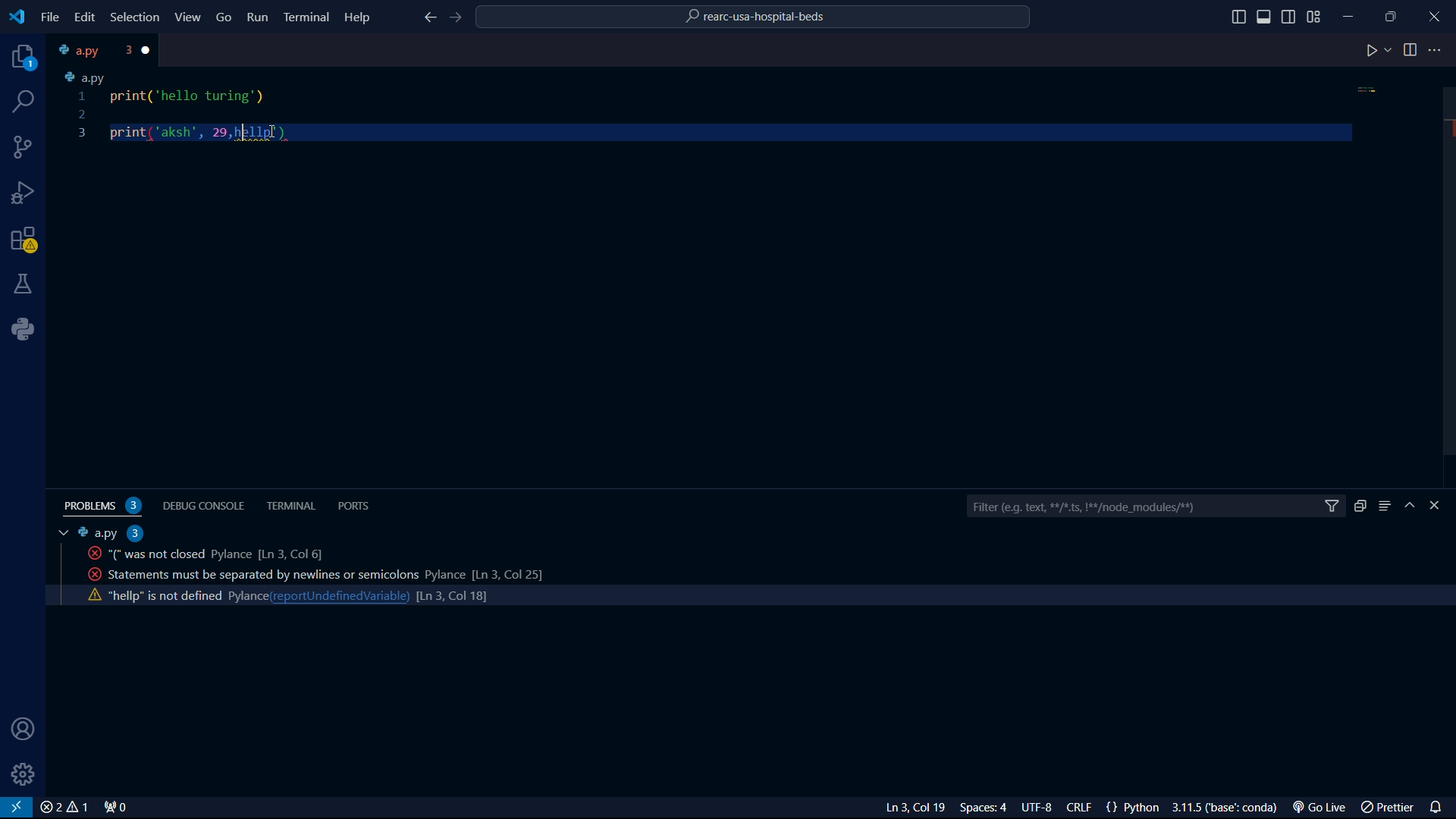 The width and height of the screenshot is (1456, 819). What do you see at coordinates (459, 18) in the screenshot?
I see `foward` at bounding box center [459, 18].